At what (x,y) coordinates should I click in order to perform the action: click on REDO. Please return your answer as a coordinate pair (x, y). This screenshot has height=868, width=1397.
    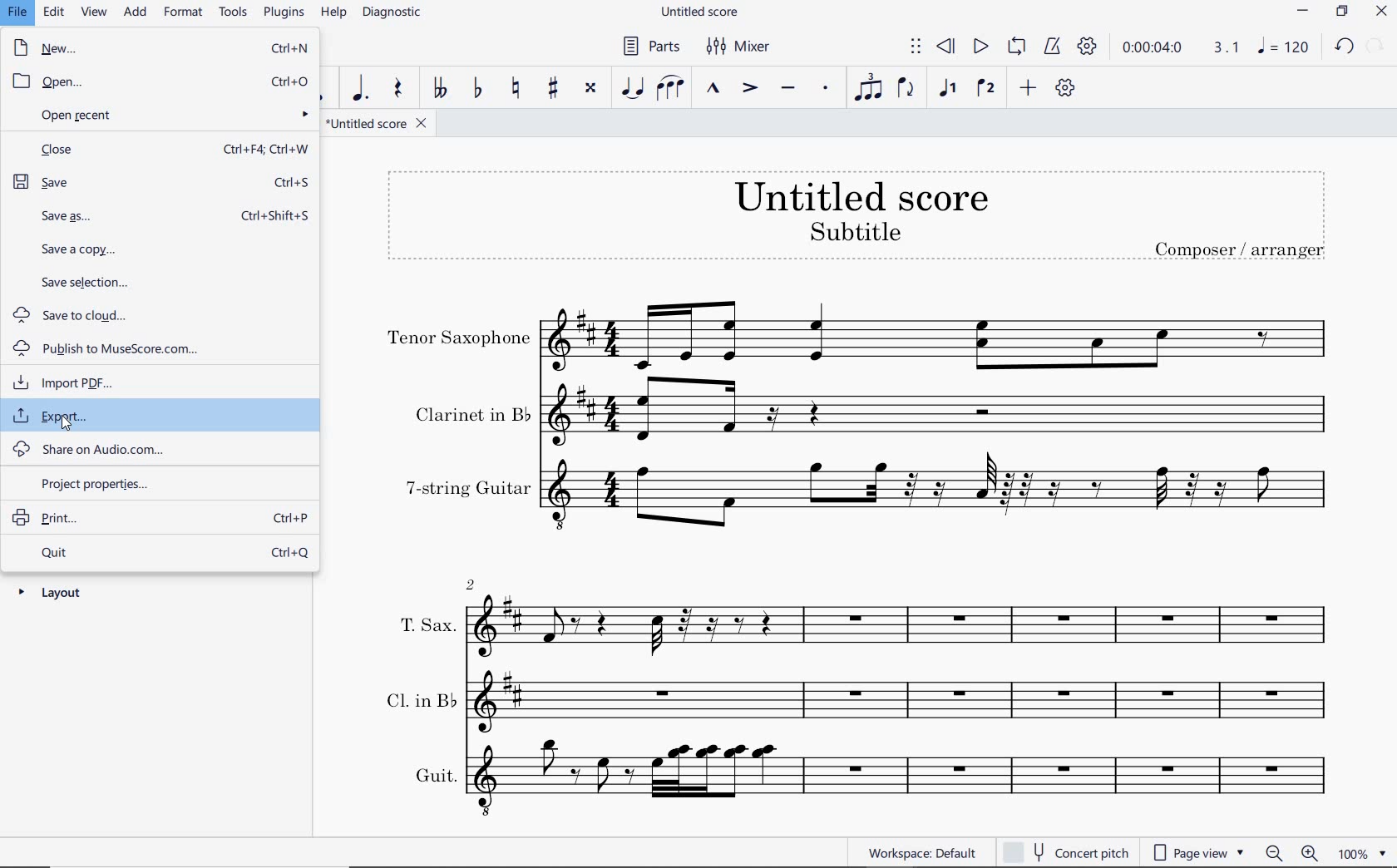
    Looking at the image, I should click on (1376, 45).